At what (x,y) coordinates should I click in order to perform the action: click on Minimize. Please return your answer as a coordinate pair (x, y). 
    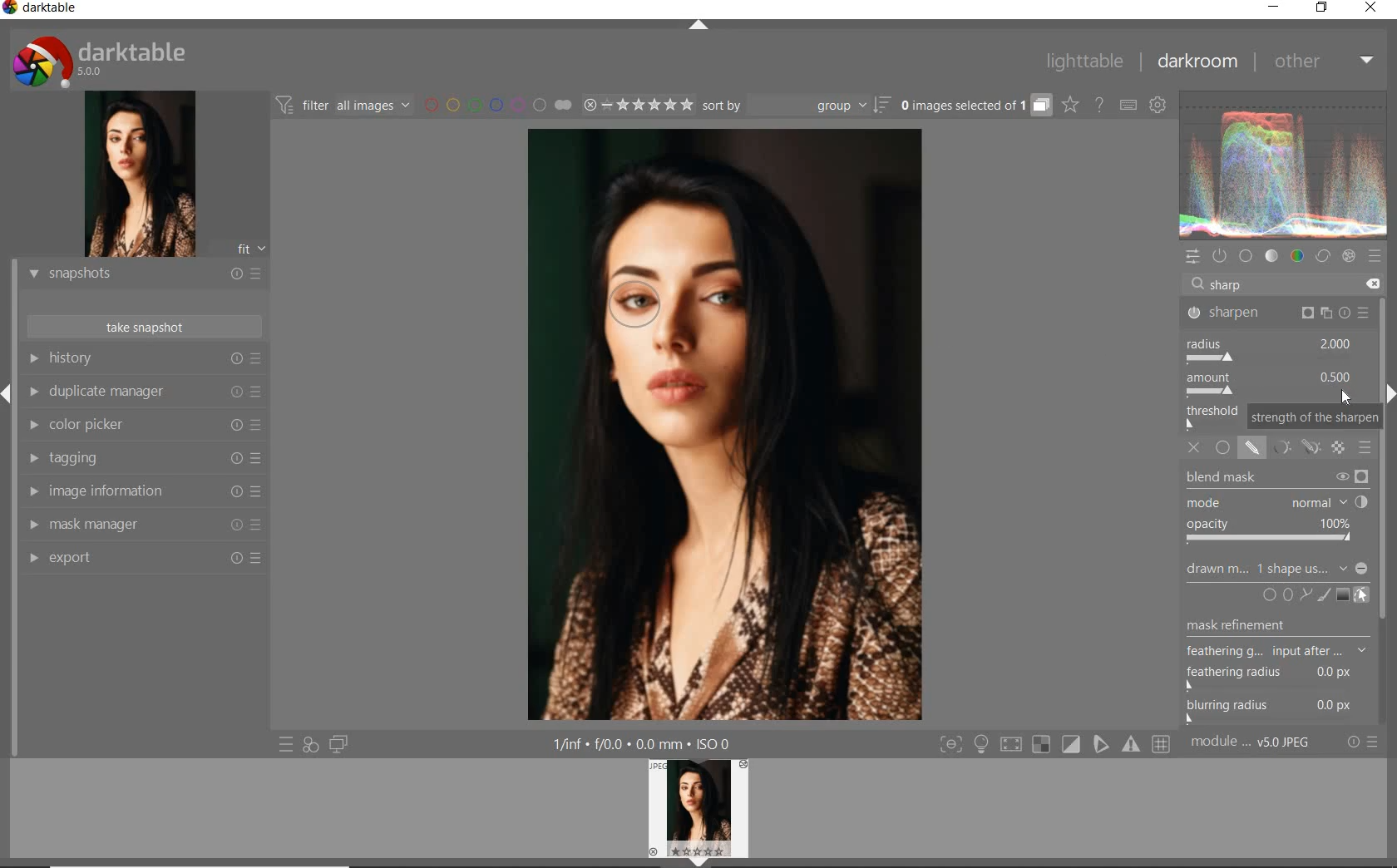
    Looking at the image, I should click on (1363, 569).